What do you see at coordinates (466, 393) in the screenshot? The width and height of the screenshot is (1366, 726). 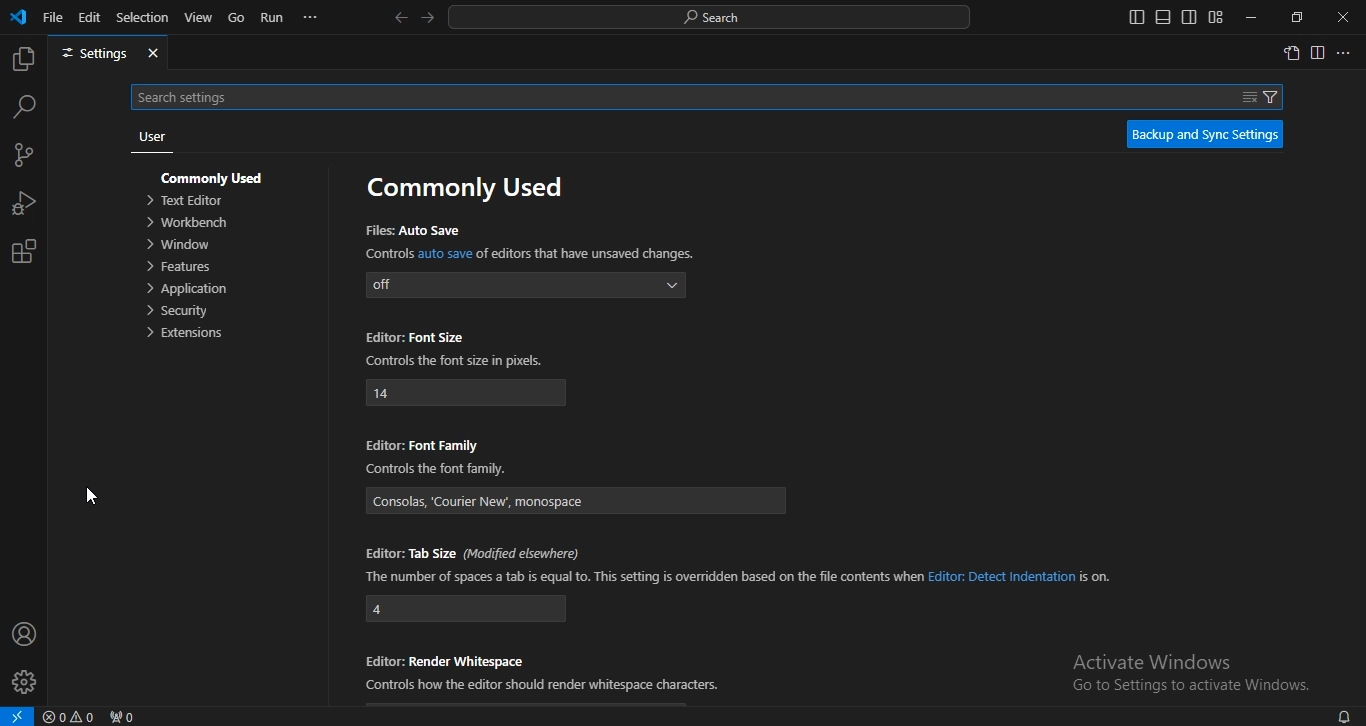 I see `14` at bounding box center [466, 393].